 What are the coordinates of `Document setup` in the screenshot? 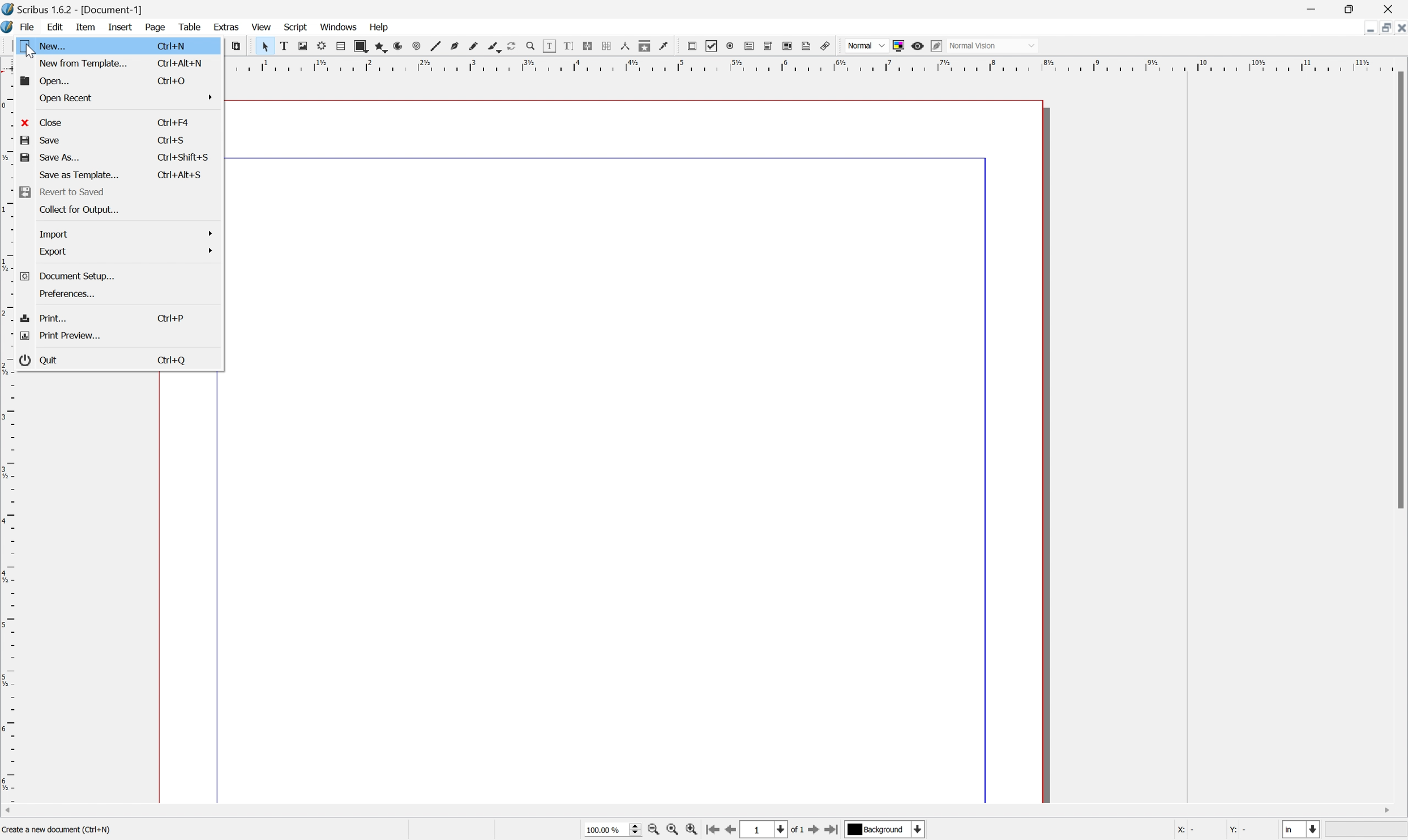 It's located at (68, 277).